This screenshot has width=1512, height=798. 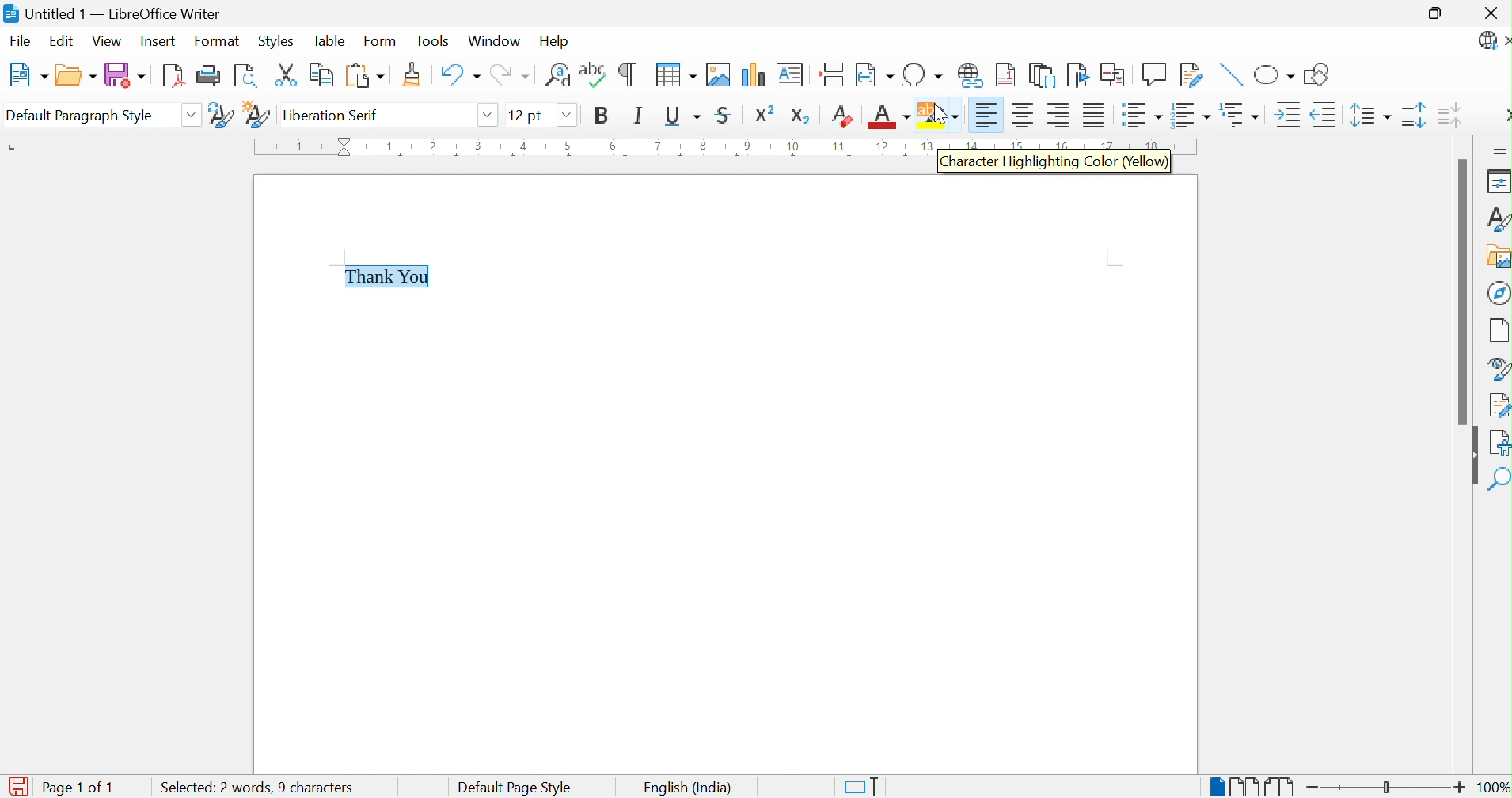 I want to click on Copy, so click(x=319, y=74).